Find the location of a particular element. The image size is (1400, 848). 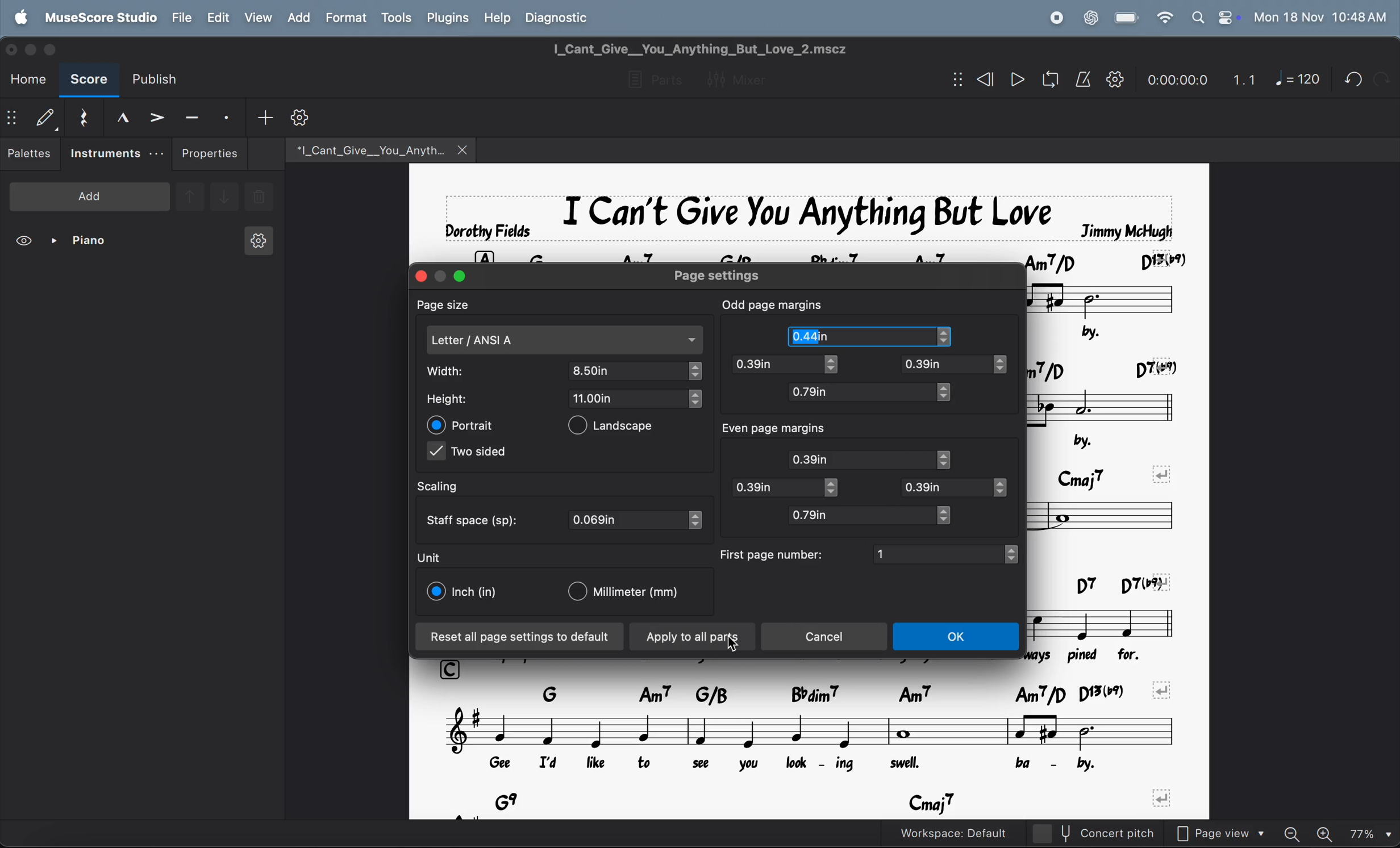

Song title and author is located at coordinates (805, 212).